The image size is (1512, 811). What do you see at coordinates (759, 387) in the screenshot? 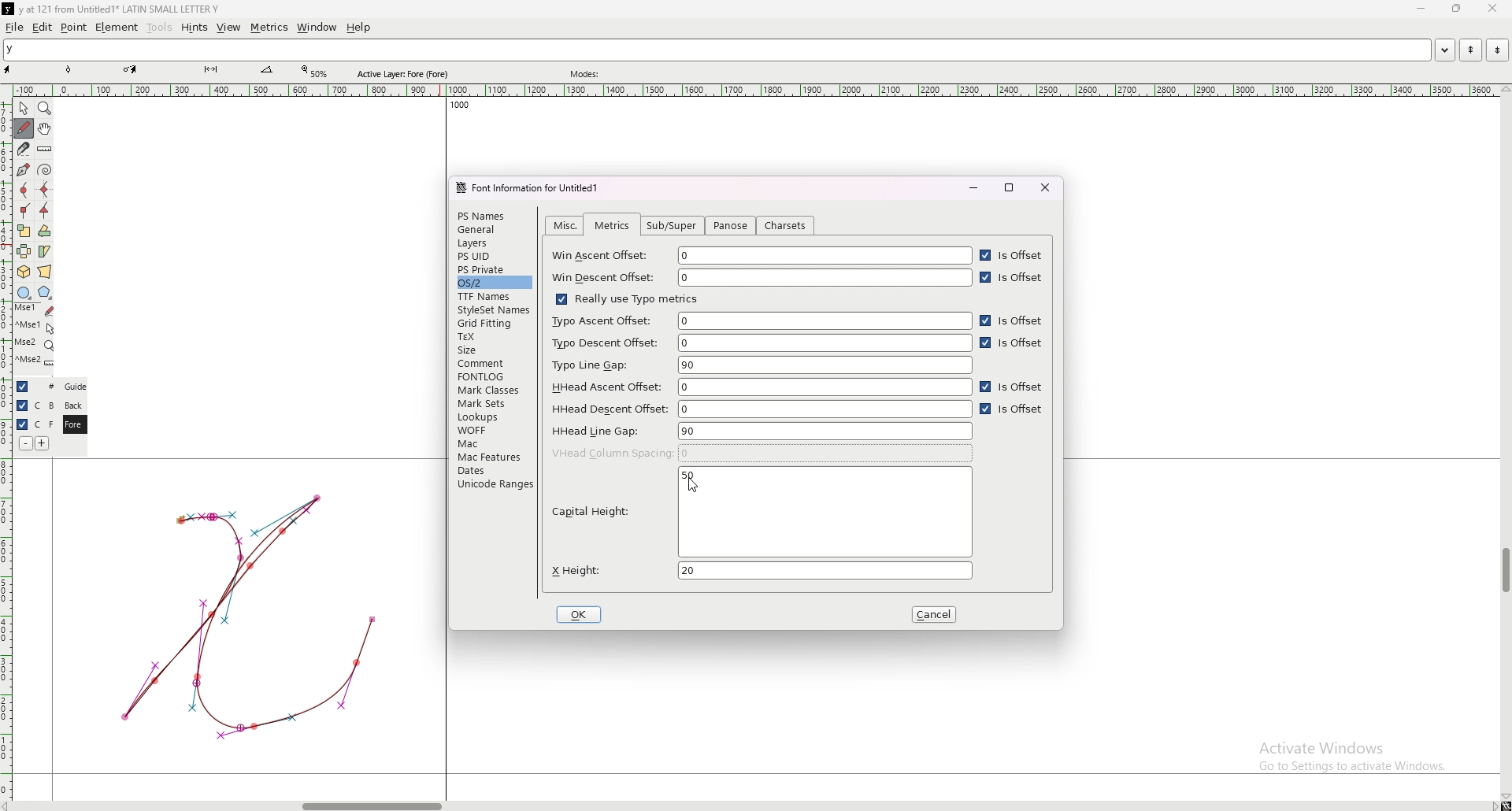
I see `hhead ascent offset 0` at bounding box center [759, 387].